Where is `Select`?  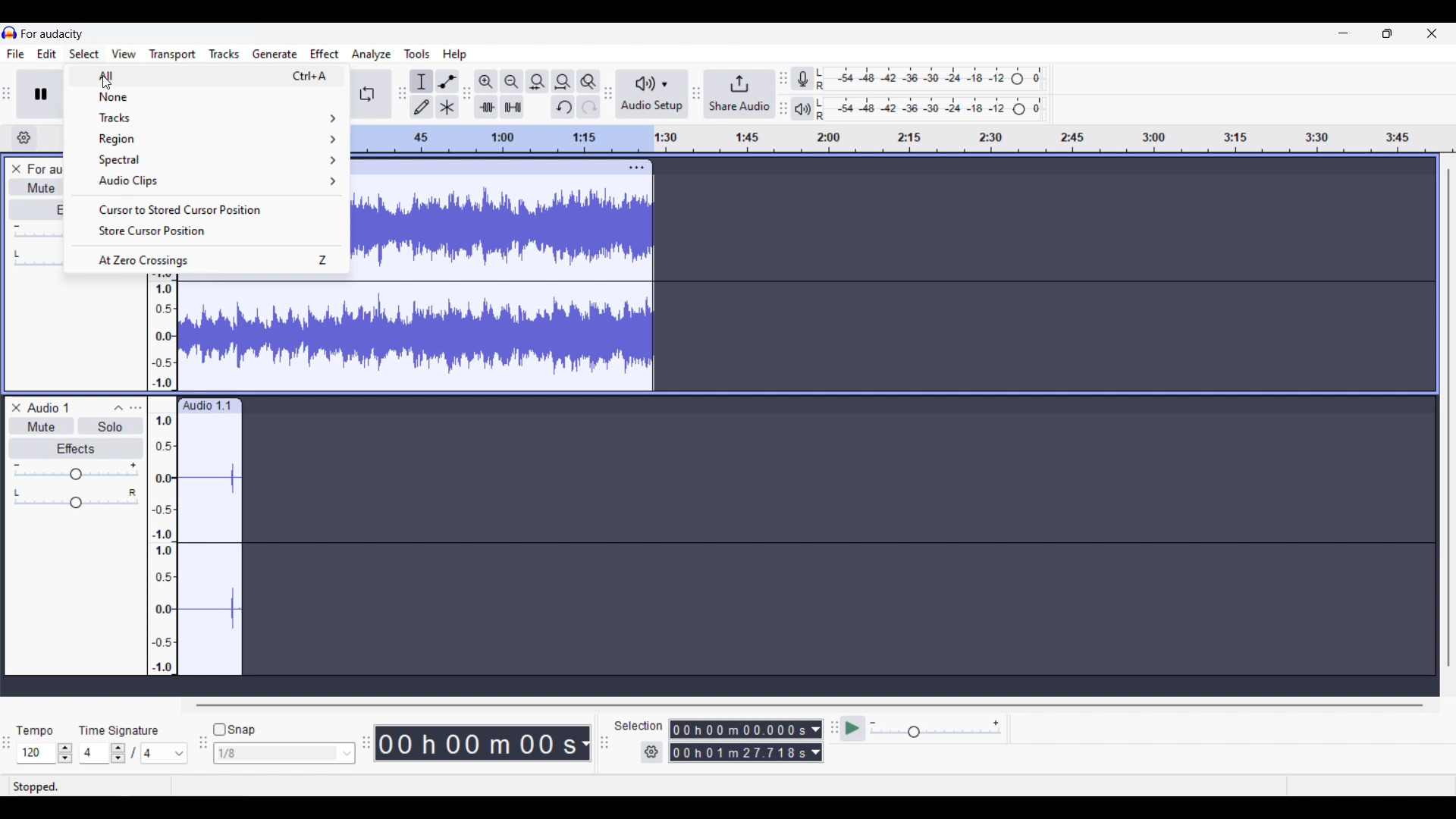 Select is located at coordinates (84, 53).